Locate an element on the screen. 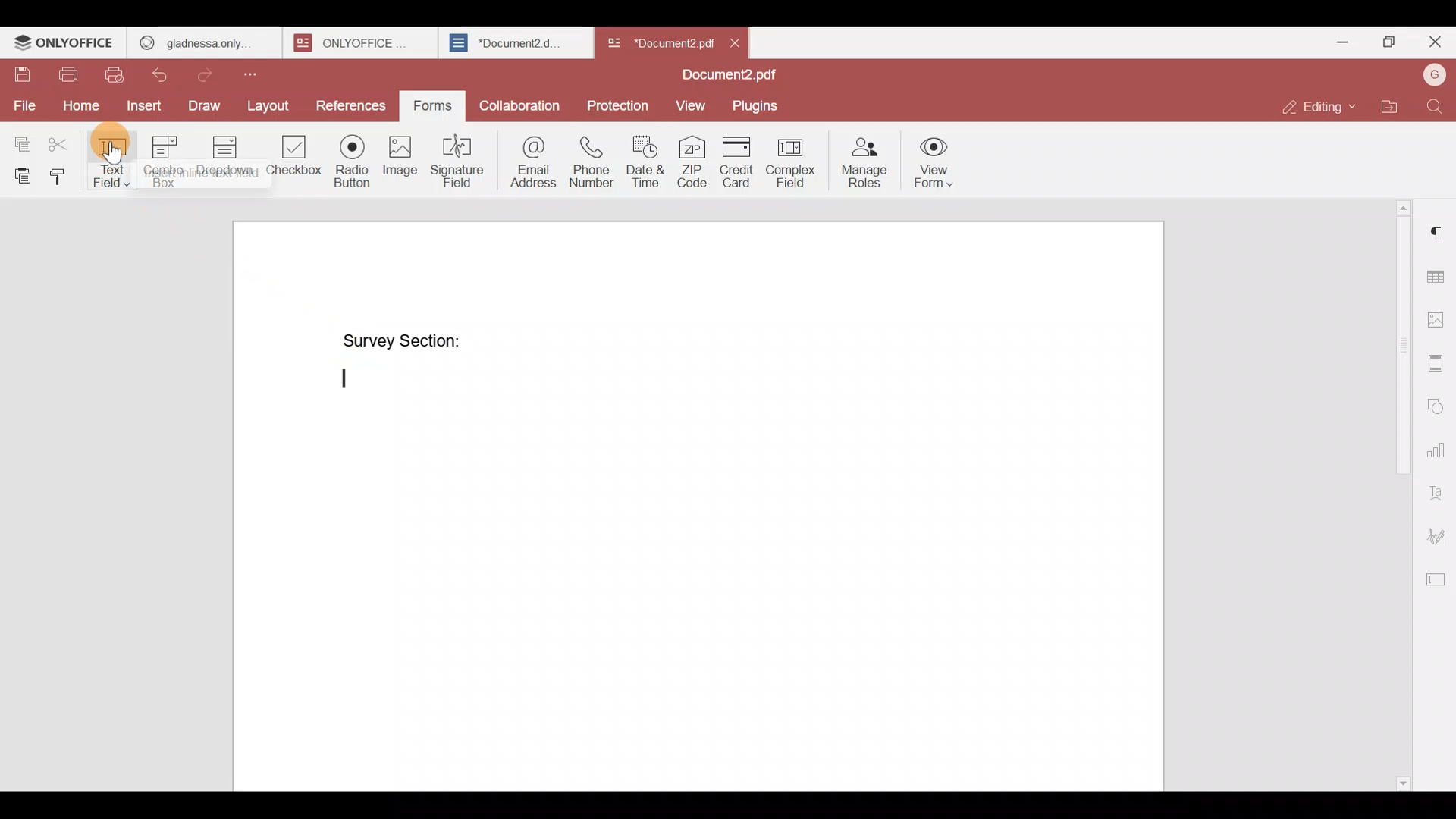 This screenshot has height=819, width=1456. Undo is located at coordinates (163, 76).